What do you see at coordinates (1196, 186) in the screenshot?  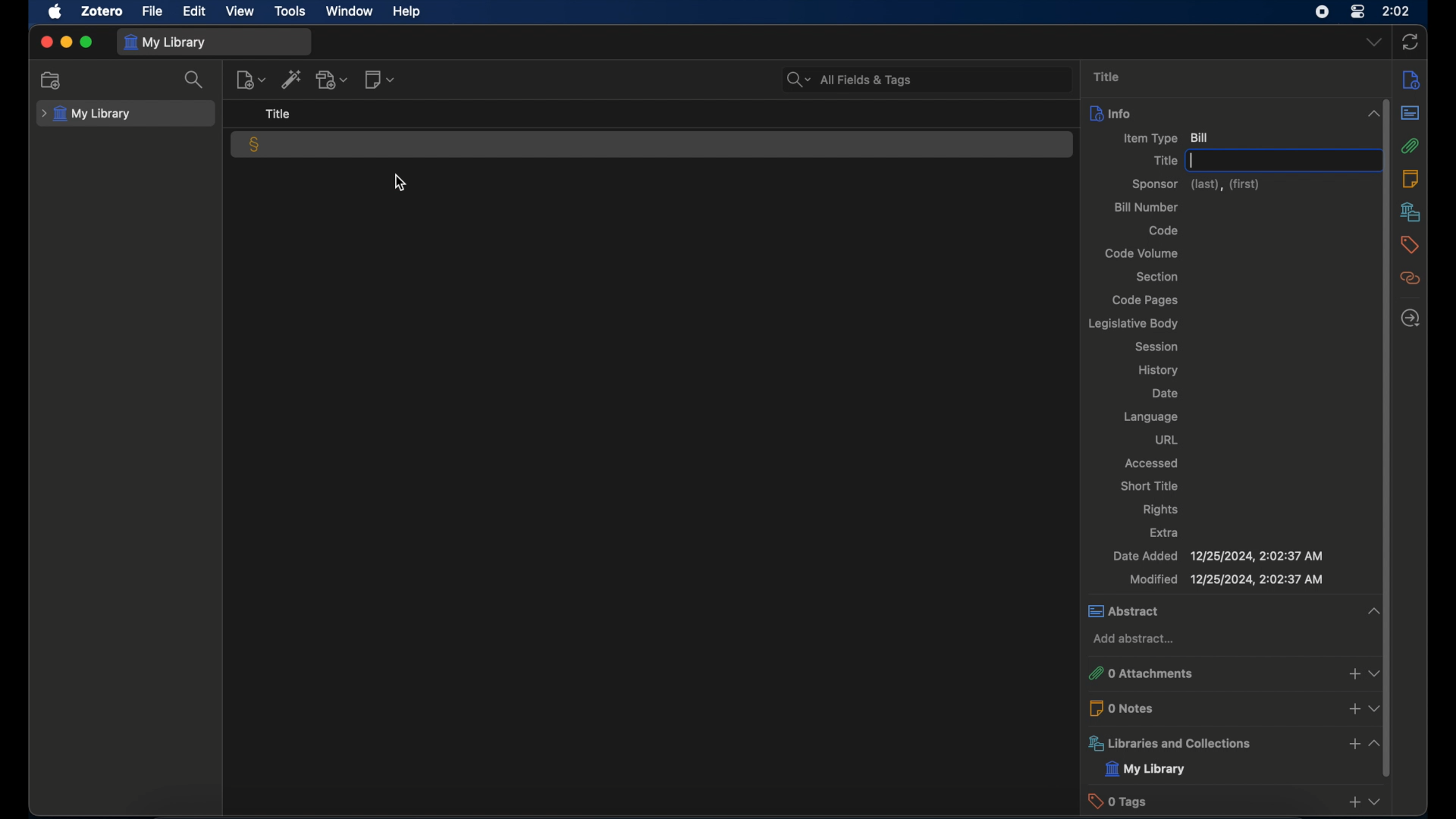 I see `sponsor` at bounding box center [1196, 186].